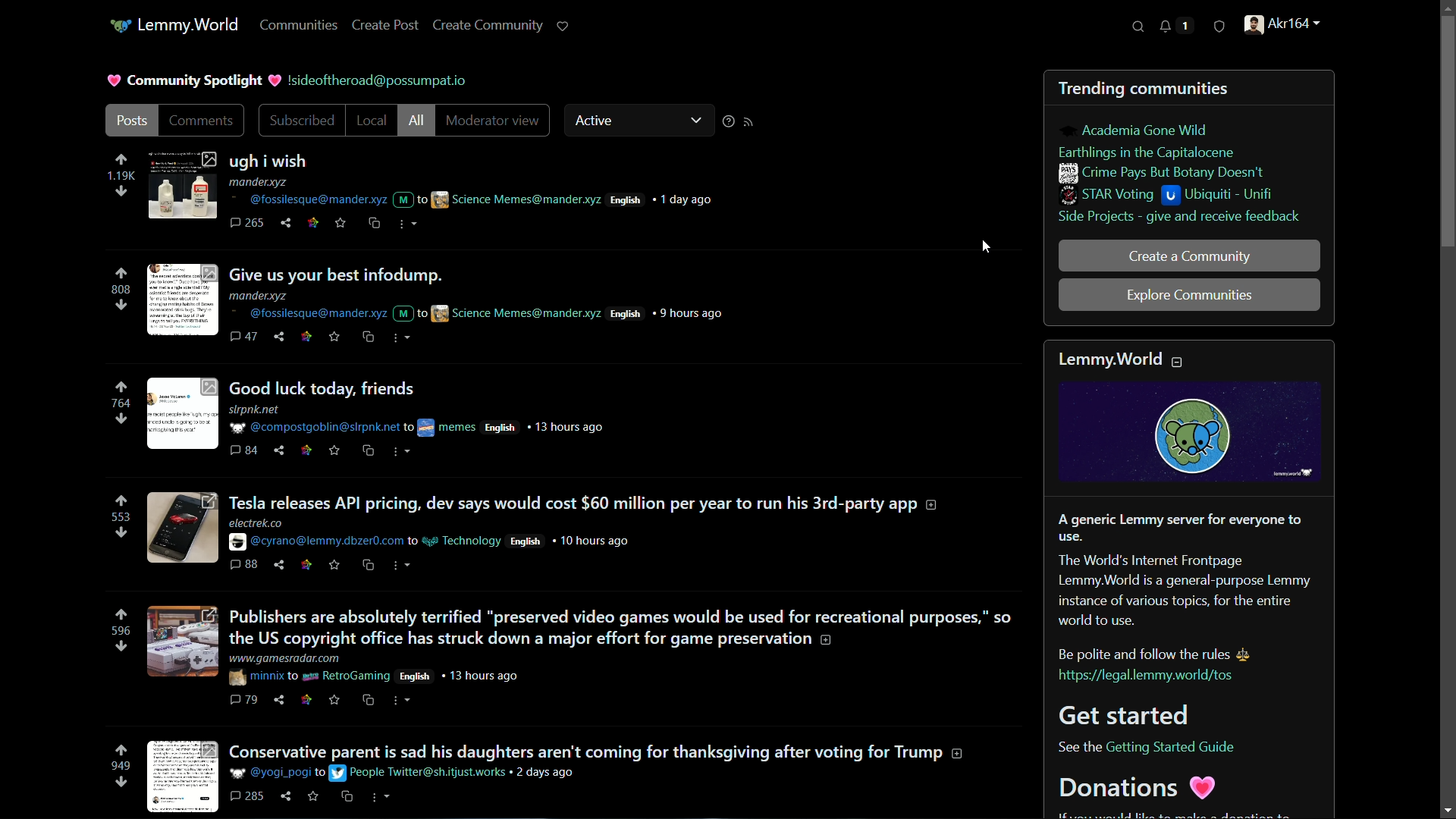 Image resolution: width=1456 pixels, height=819 pixels. I want to click on academia gone wild, so click(1144, 130).